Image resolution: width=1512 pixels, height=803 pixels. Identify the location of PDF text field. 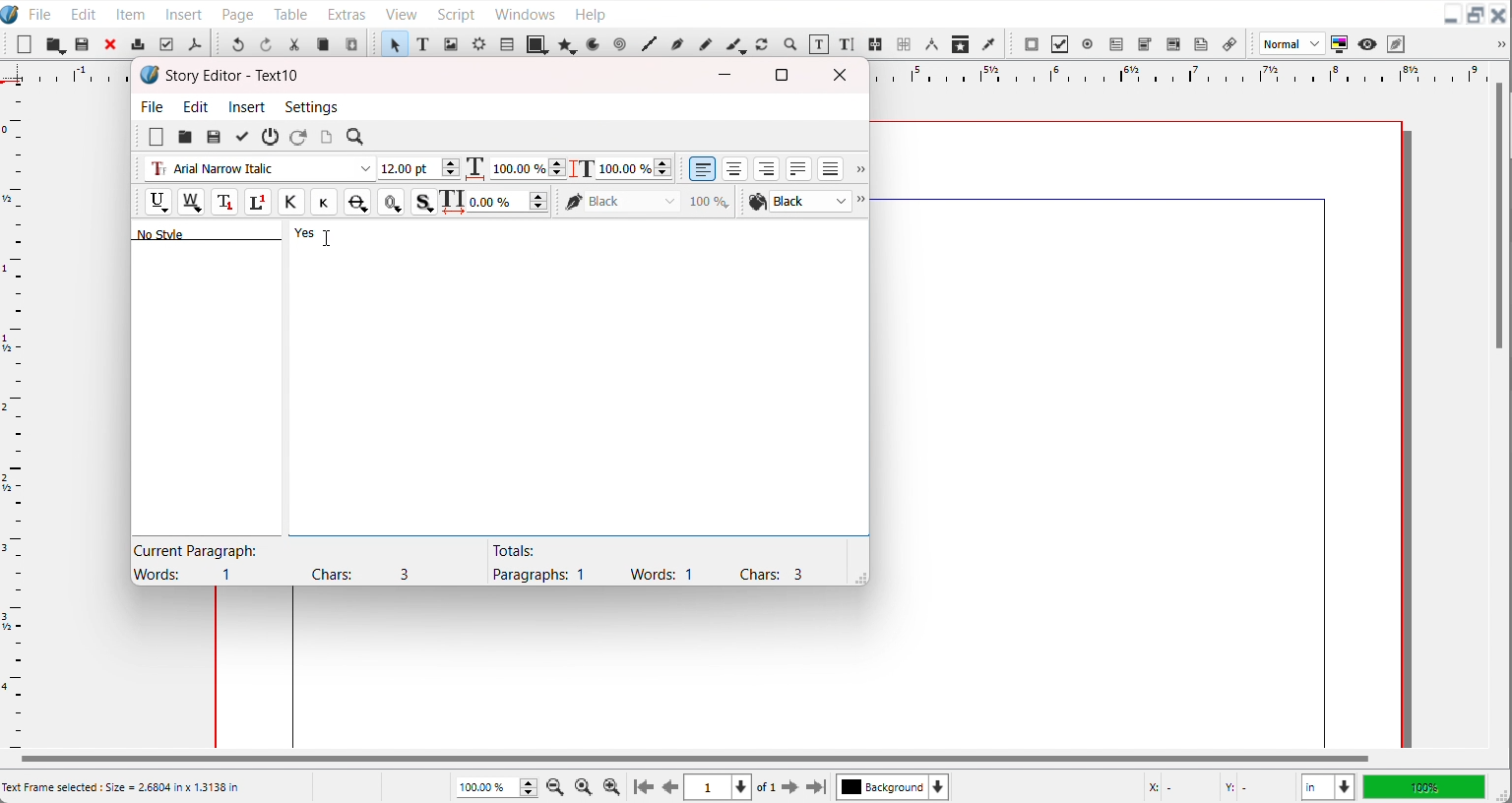
(1115, 45).